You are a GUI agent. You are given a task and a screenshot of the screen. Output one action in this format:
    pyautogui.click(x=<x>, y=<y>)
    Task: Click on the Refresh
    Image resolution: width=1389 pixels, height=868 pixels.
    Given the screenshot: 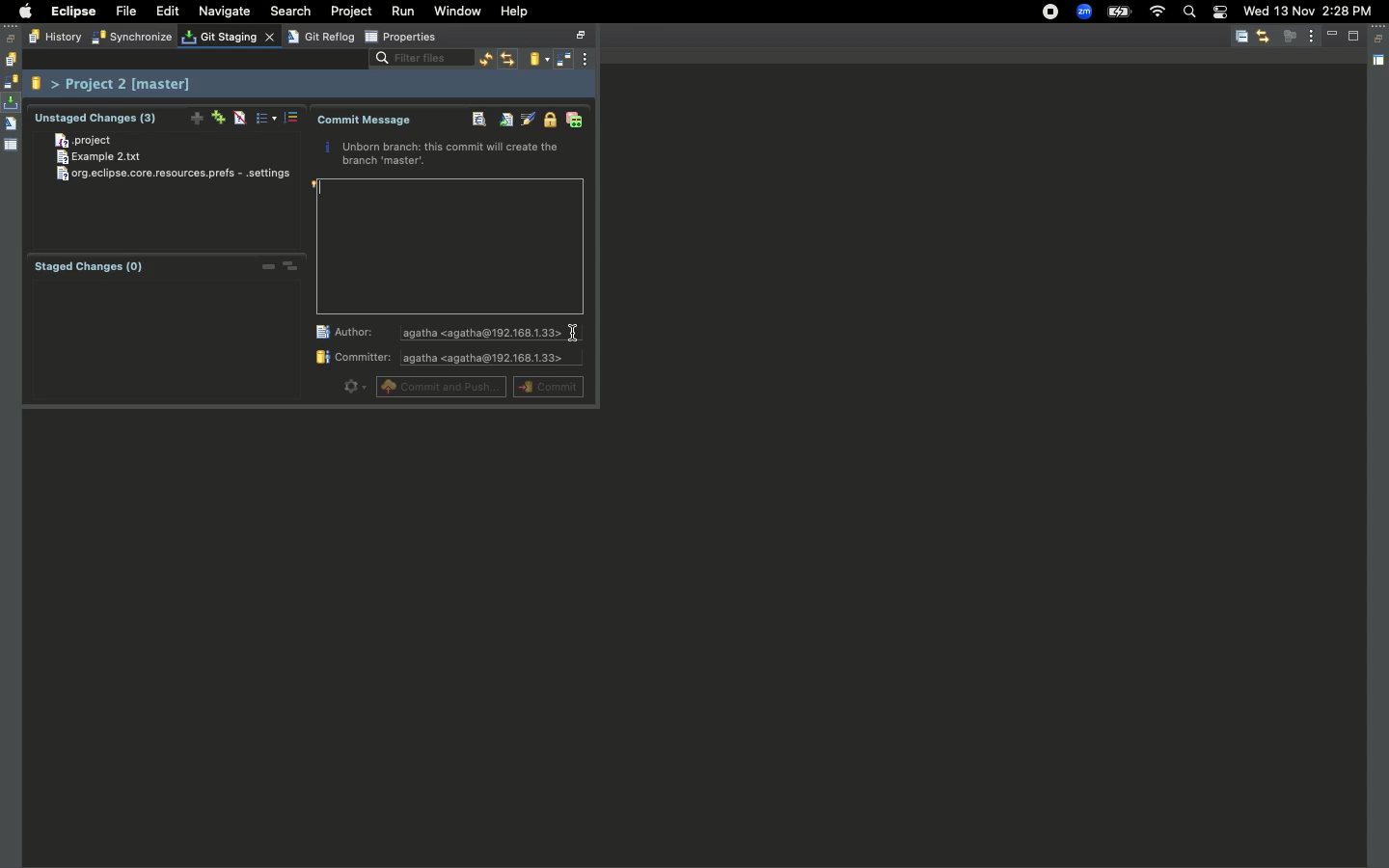 What is the action you would take?
    pyautogui.click(x=482, y=60)
    